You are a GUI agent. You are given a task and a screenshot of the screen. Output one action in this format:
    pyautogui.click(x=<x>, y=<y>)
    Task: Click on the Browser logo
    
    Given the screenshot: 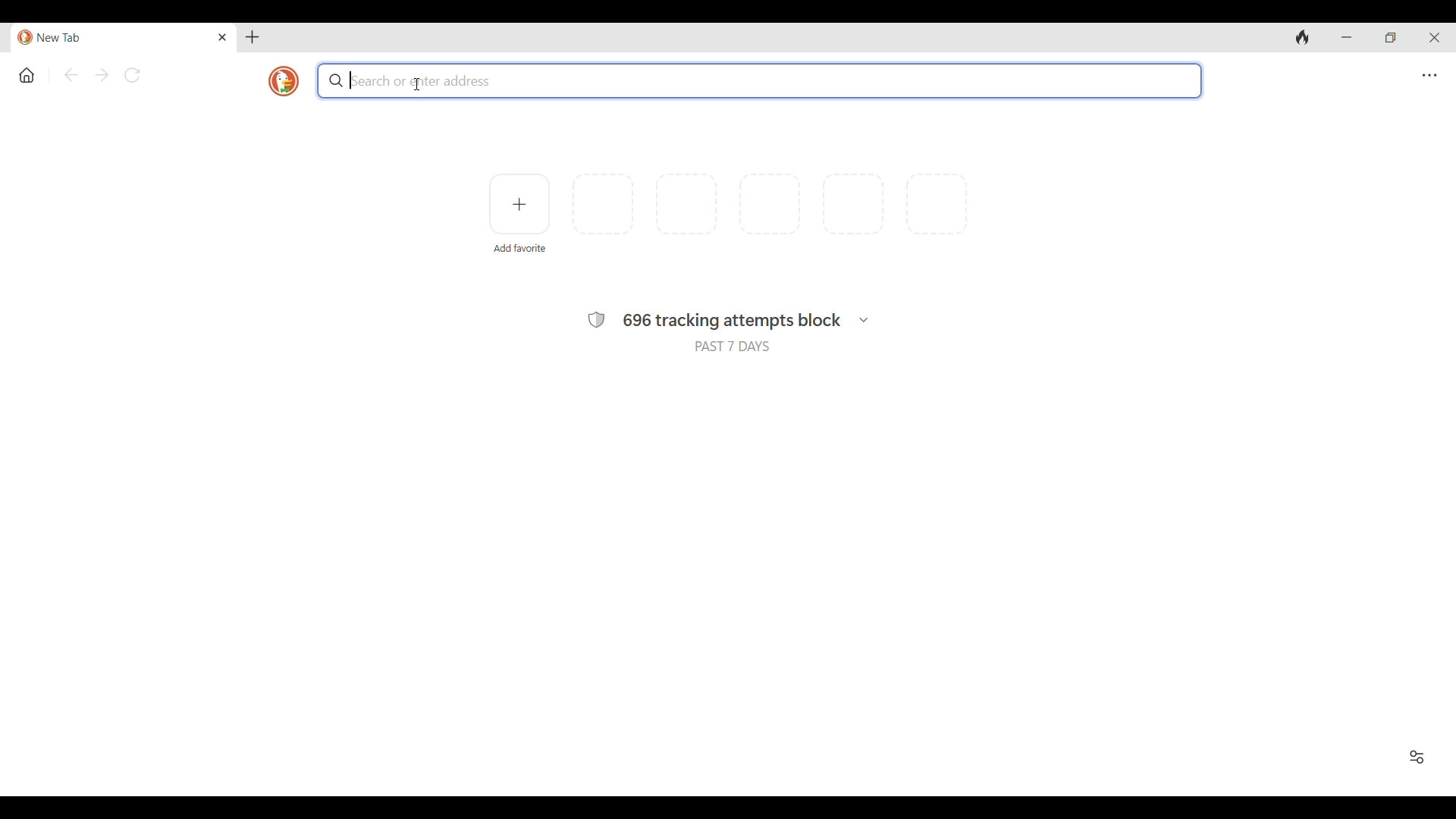 What is the action you would take?
    pyautogui.click(x=284, y=81)
    